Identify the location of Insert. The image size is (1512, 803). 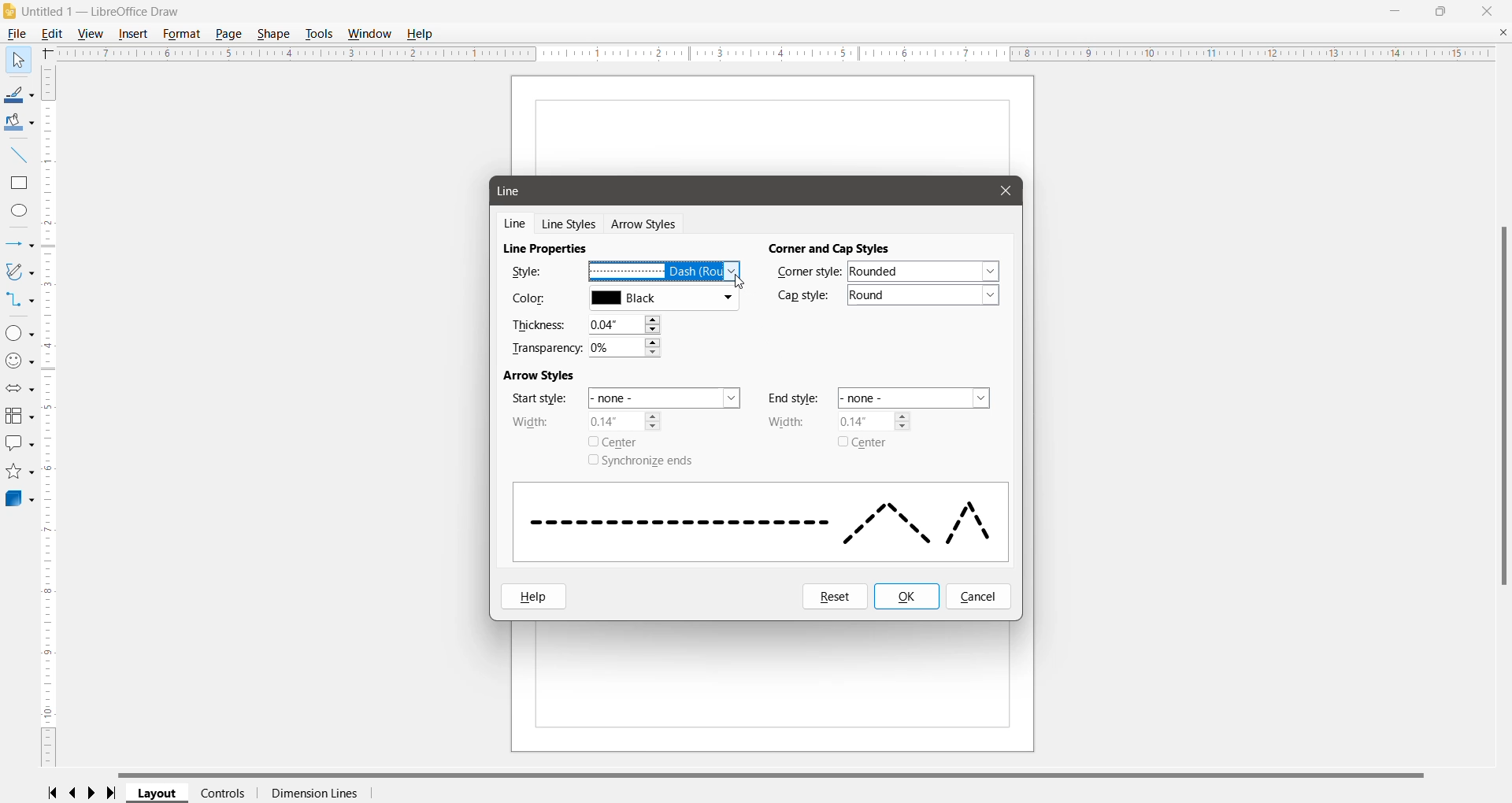
(135, 33).